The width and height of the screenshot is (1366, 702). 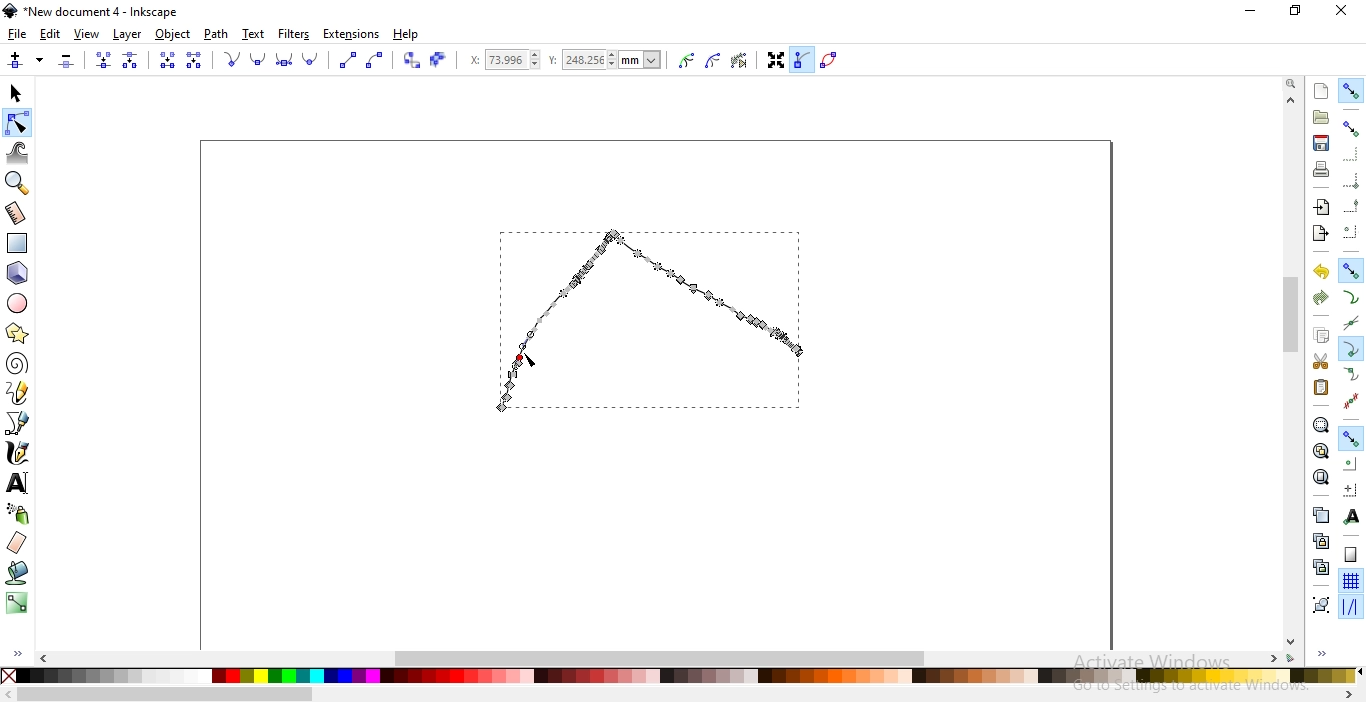 I want to click on create rectangles and squares, so click(x=16, y=243).